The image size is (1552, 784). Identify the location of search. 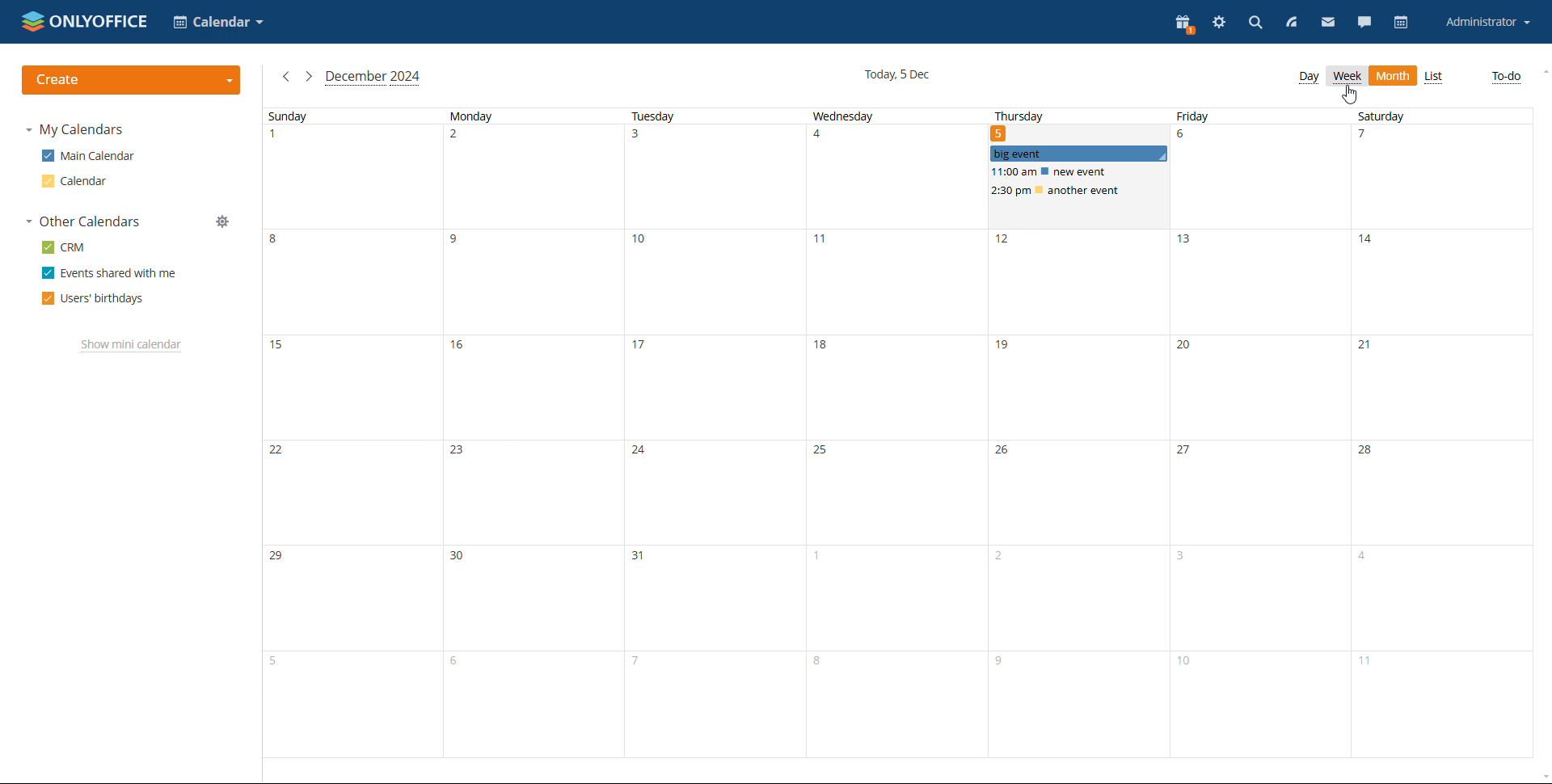
(1254, 21).